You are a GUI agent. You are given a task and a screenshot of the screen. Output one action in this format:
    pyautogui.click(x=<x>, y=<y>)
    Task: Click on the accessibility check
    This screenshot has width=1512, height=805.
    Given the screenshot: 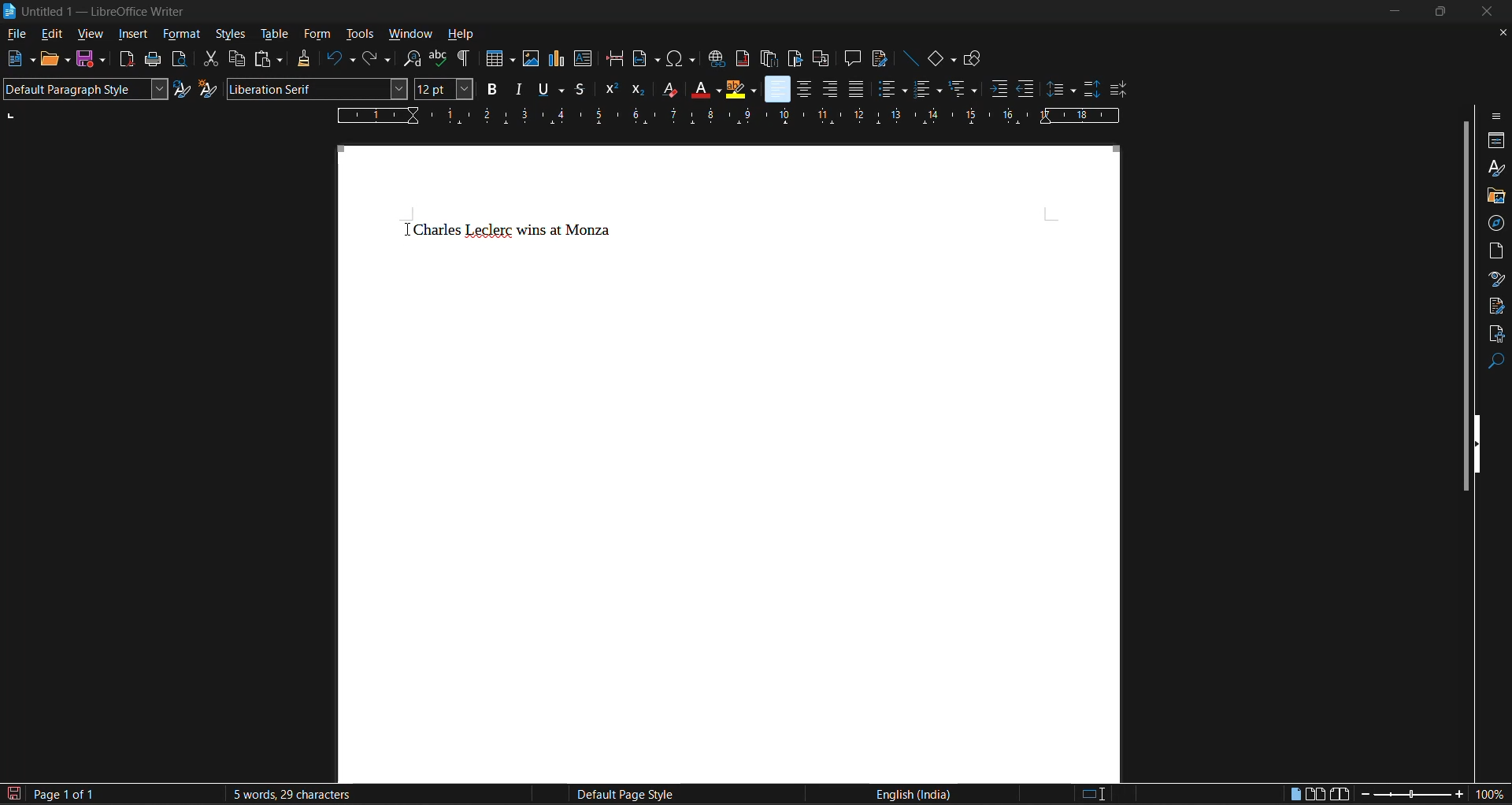 What is the action you would take?
    pyautogui.click(x=1495, y=335)
    